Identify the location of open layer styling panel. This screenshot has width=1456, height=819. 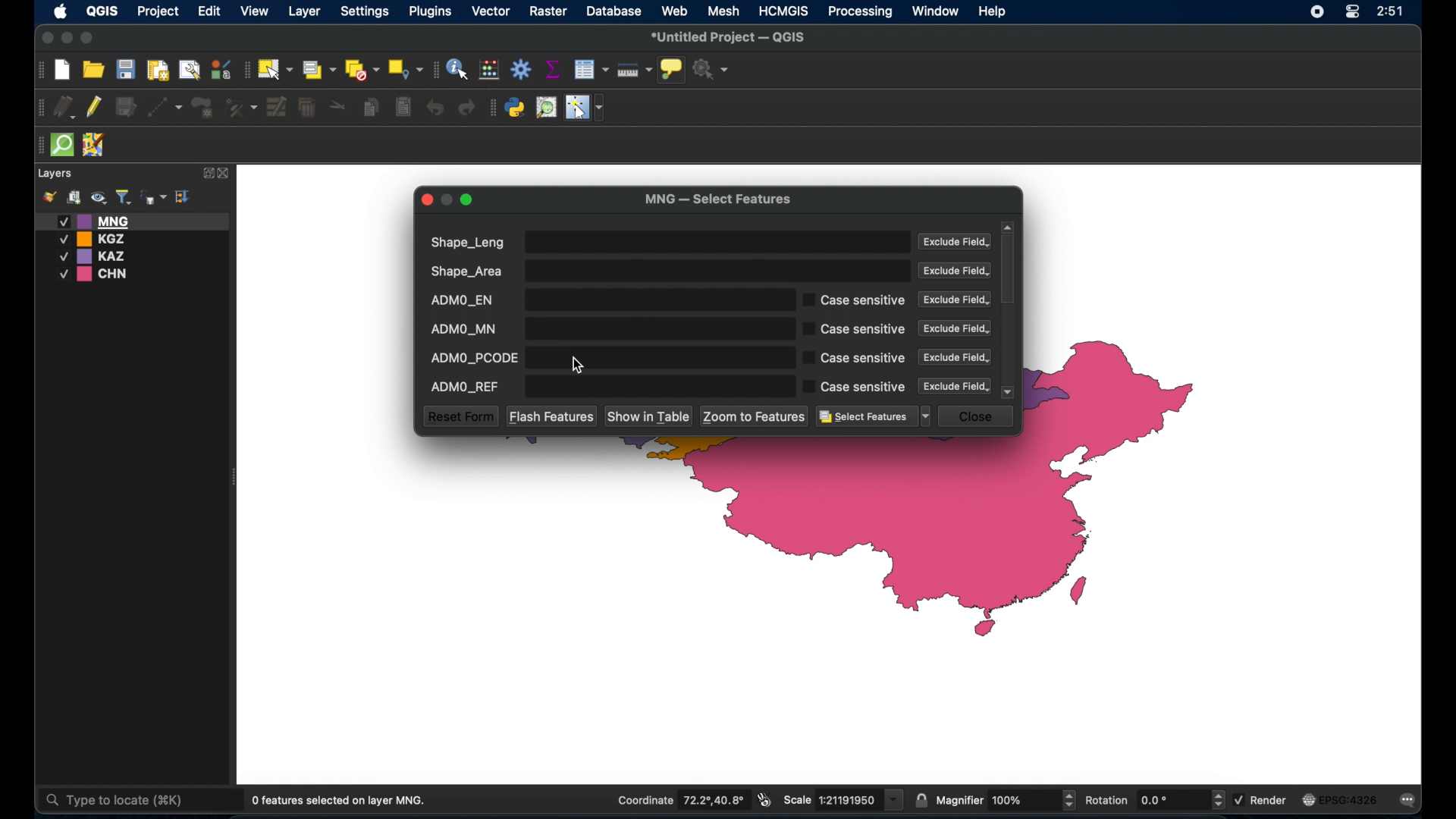
(49, 197).